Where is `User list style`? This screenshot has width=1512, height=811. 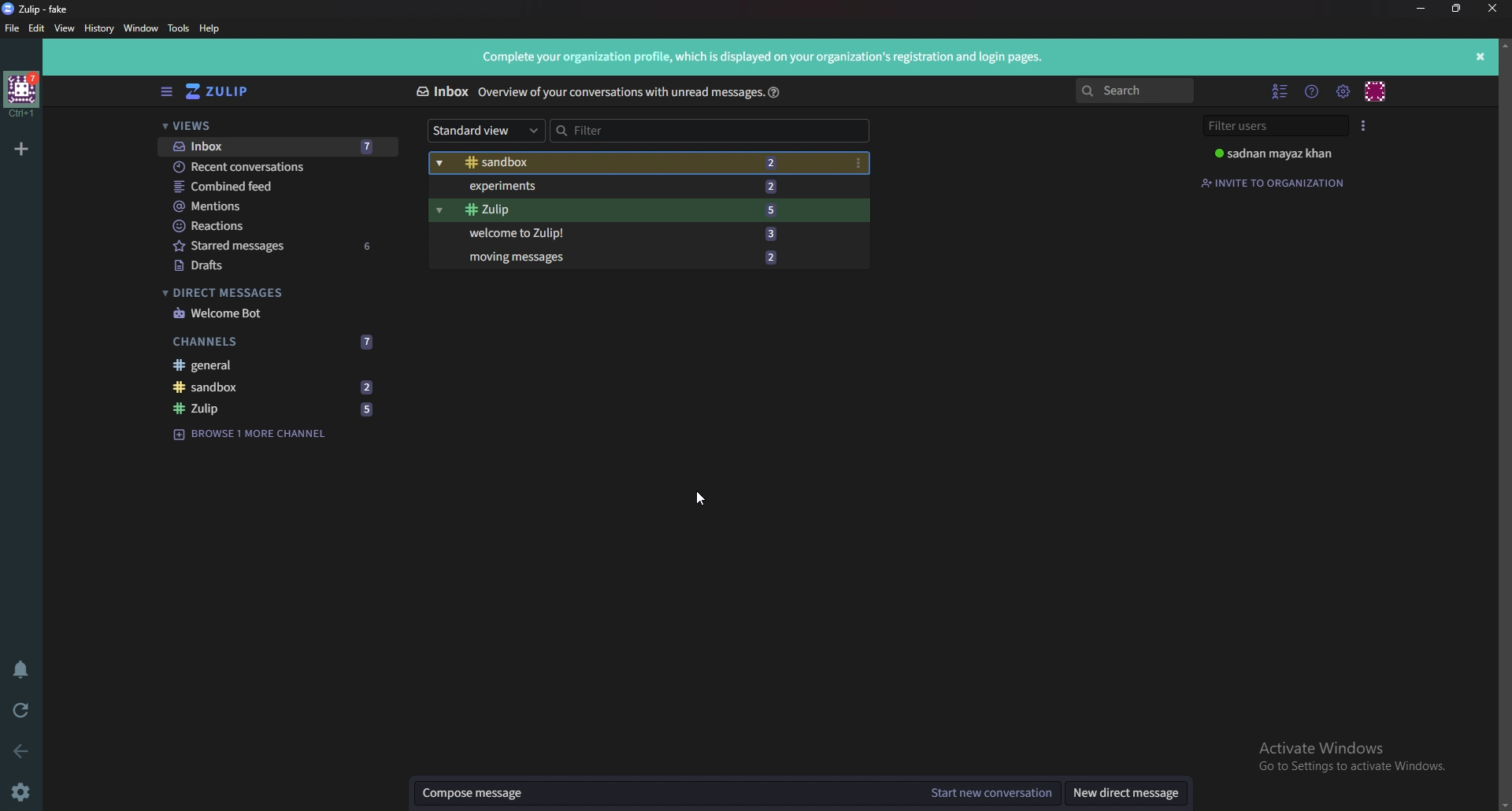
User list style is located at coordinates (1364, 125).